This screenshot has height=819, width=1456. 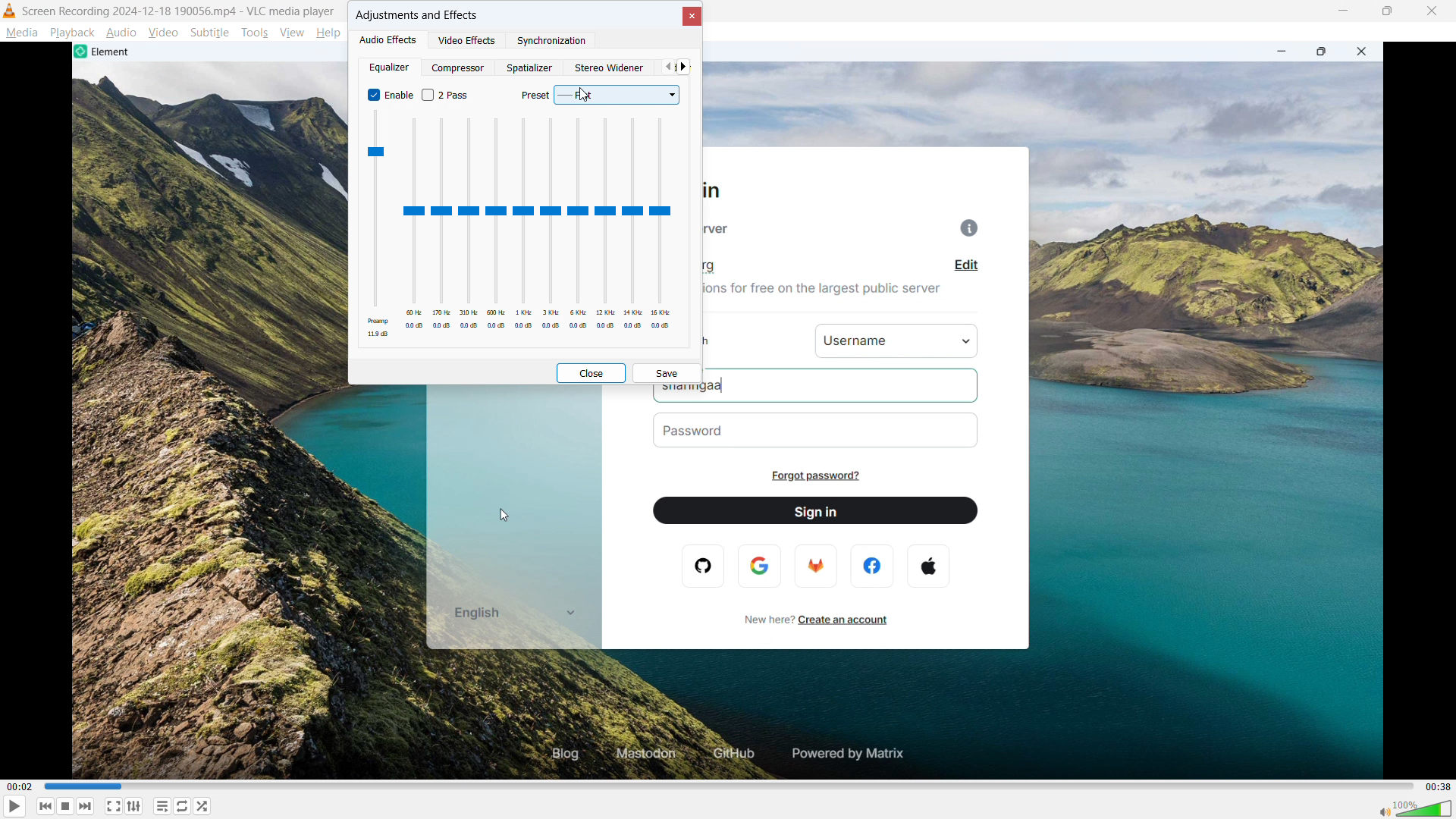 What do you see at coordinates (417, 15) in the screenshot?
I see `Adjustments and effects` at bounding box center [417, 15].